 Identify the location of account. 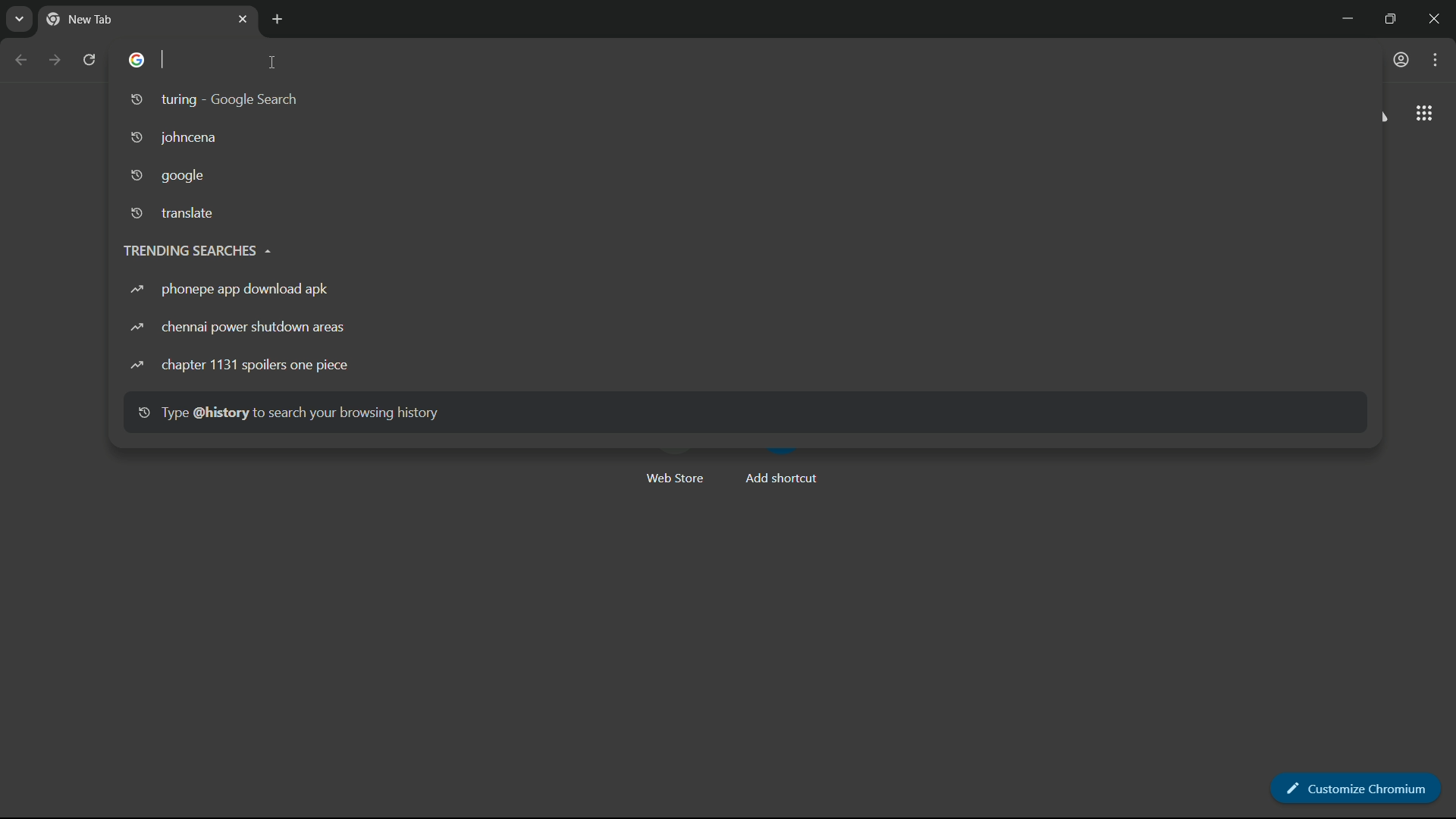
(1402, 60).